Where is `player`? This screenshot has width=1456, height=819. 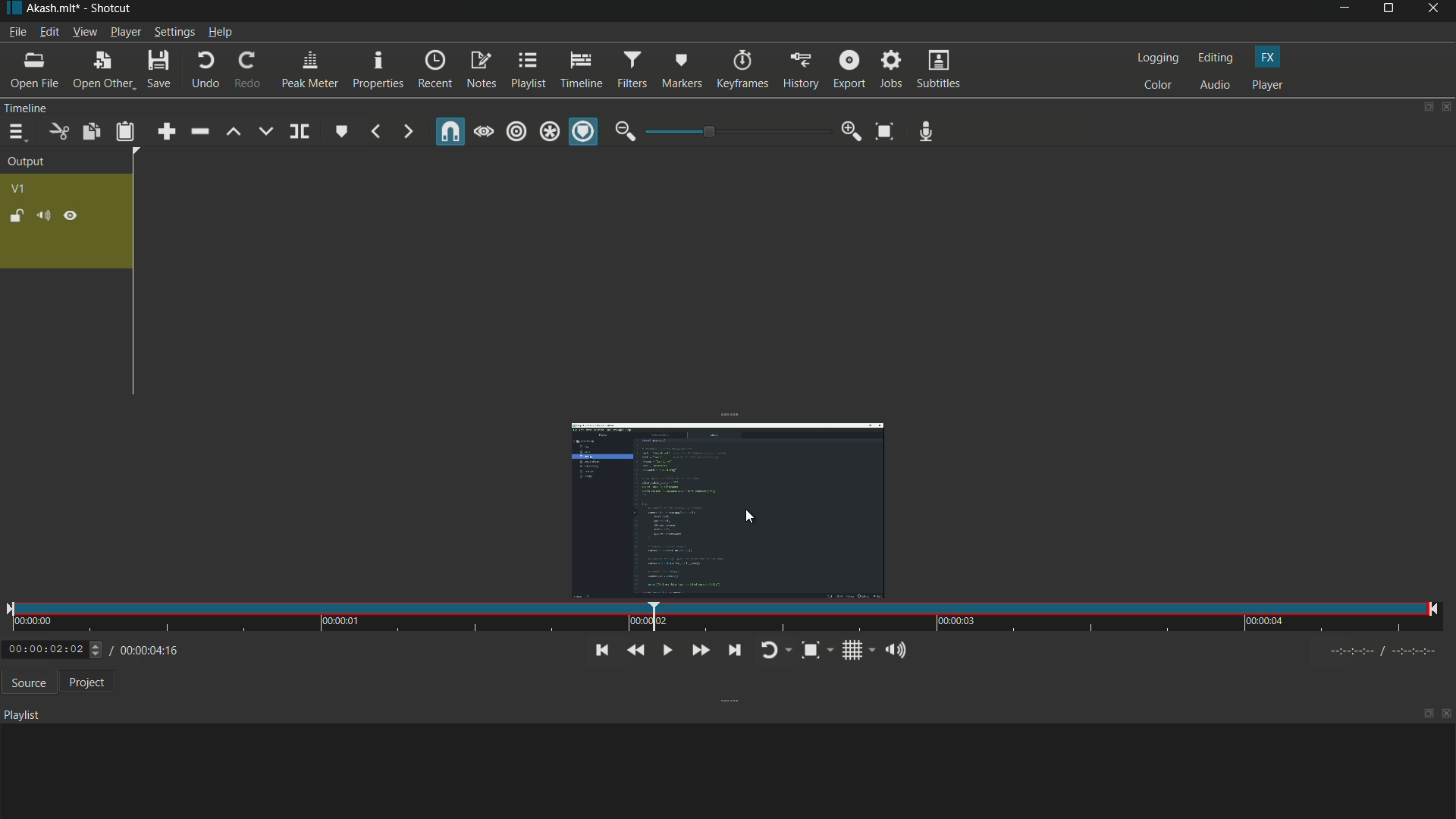
player is located at coordinates (1268, 85).